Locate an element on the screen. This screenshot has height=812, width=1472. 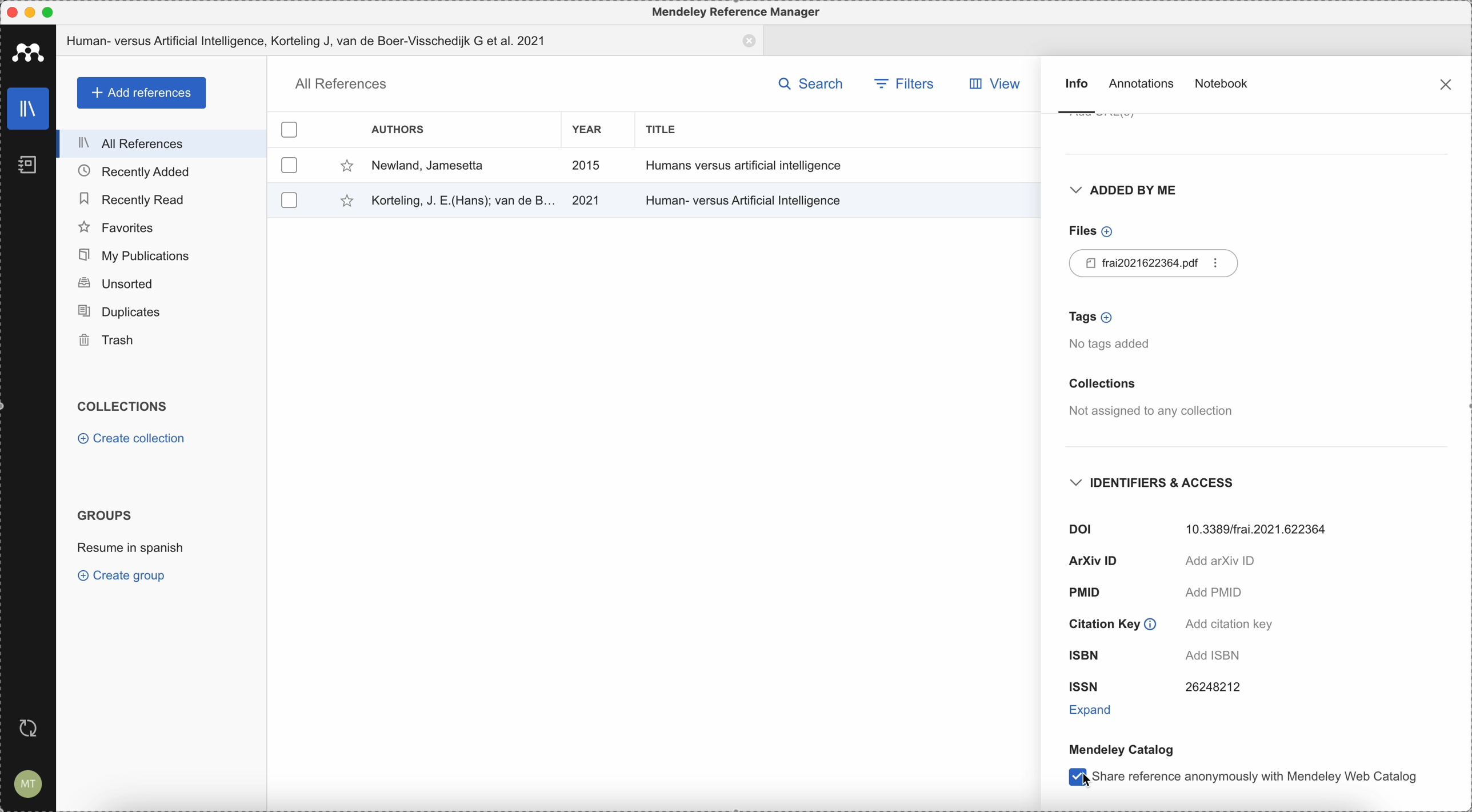
Korteling, J.E(Hans); van de B. is located at coordinates (461, 199).